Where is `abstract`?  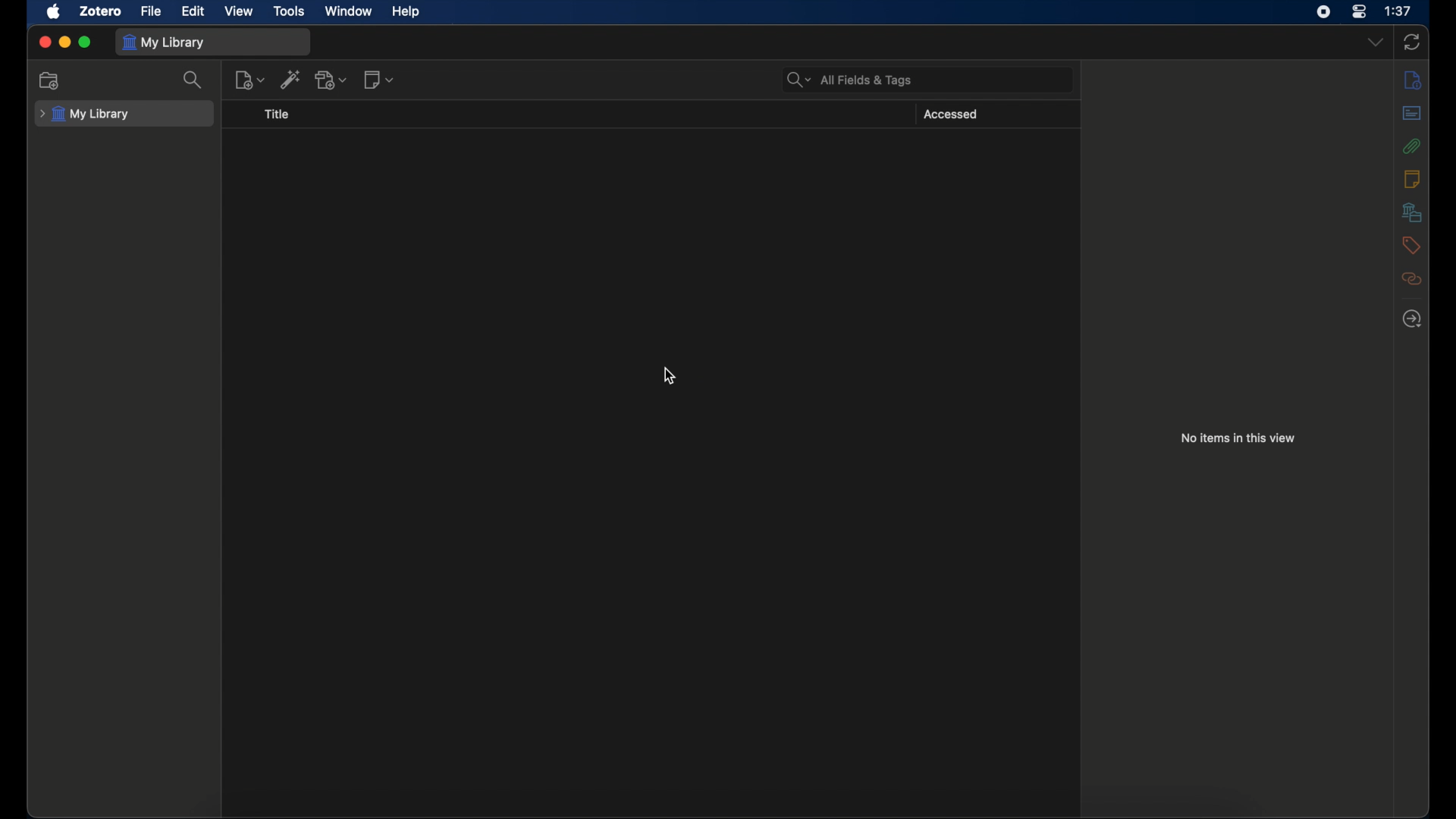
abstract is located at coordinates (1412, 112).